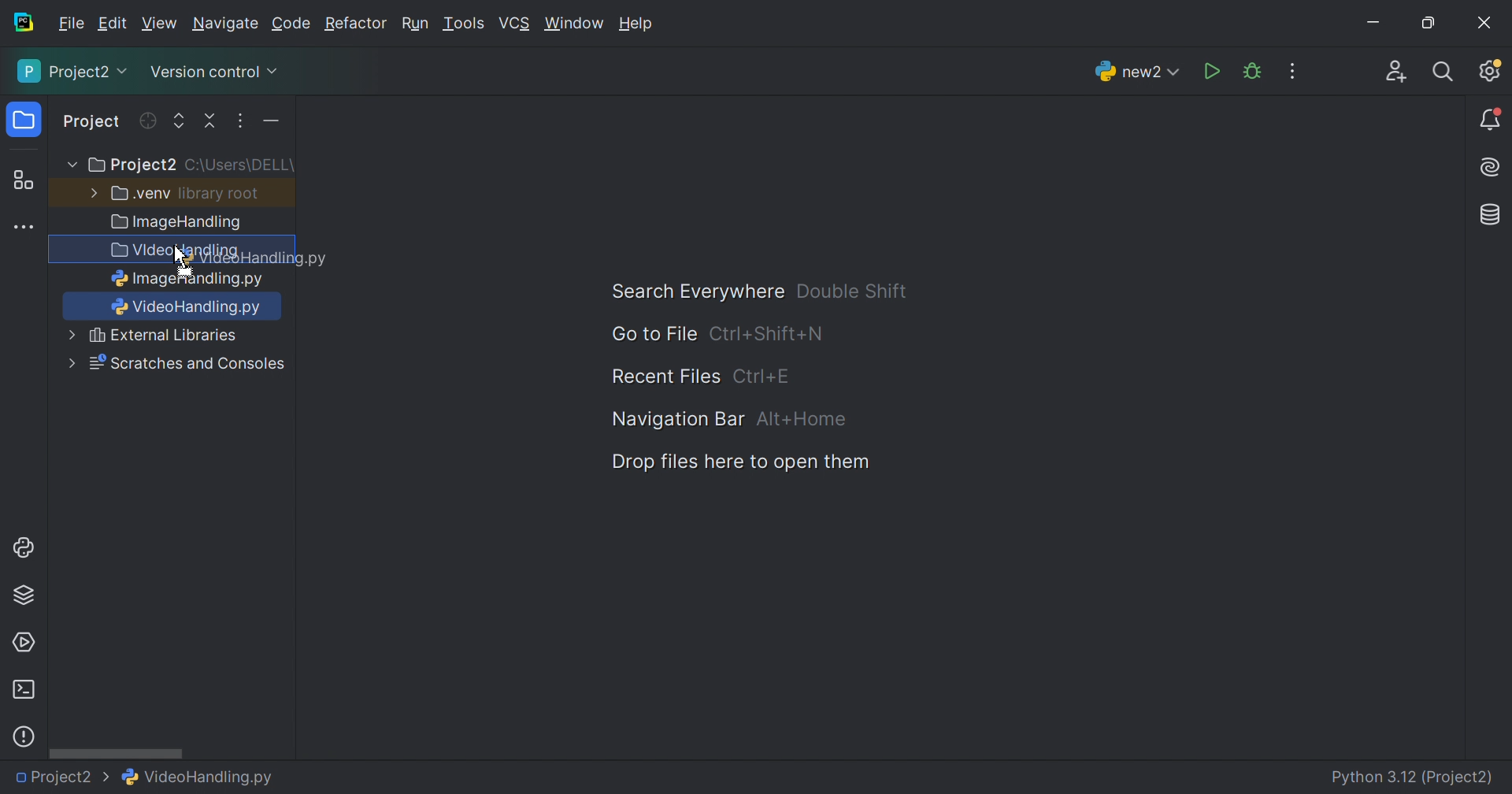  I want to click on Project2, so click(62, 777).